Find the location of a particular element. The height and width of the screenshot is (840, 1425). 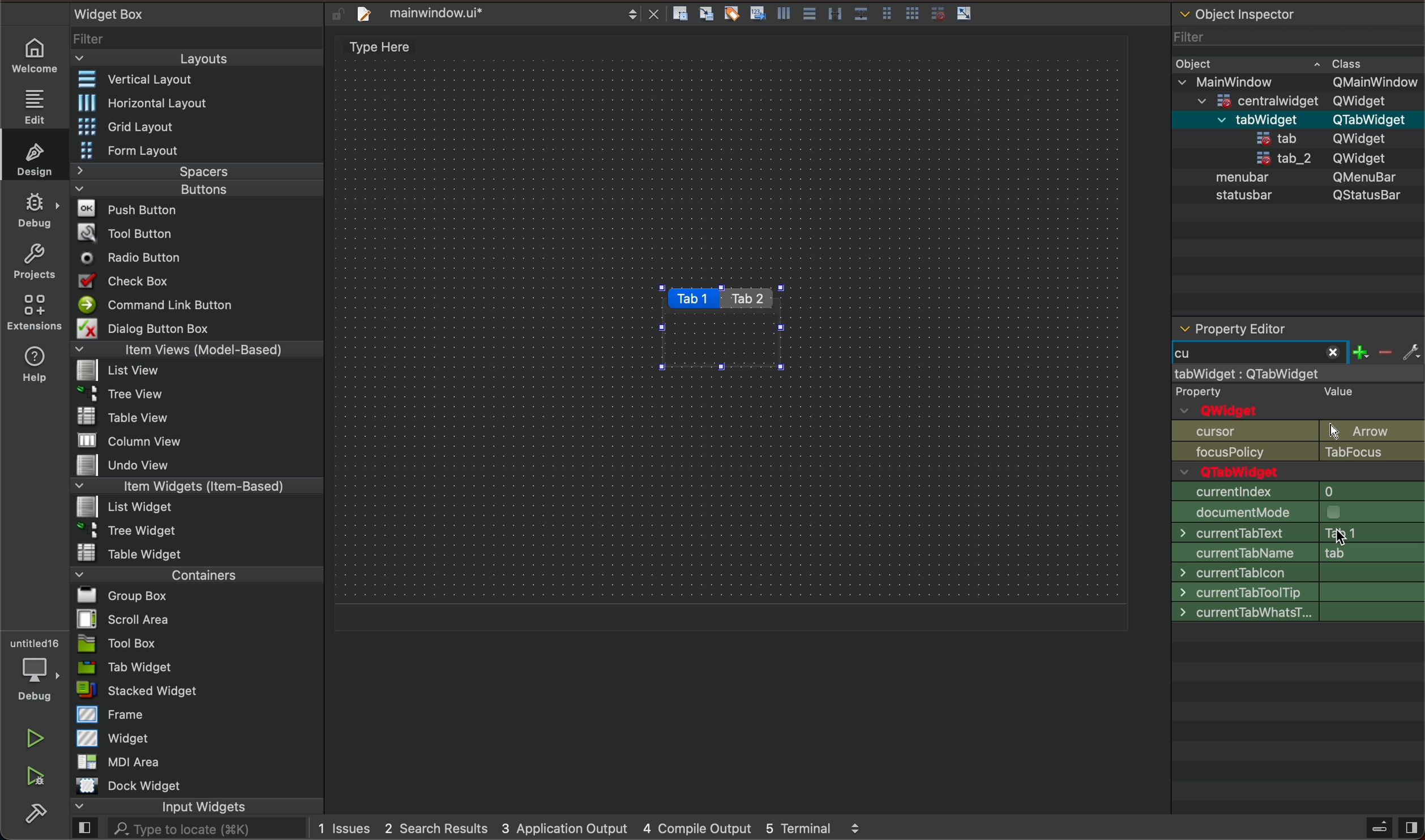

Widget Box is located at coordinates (105, 14).